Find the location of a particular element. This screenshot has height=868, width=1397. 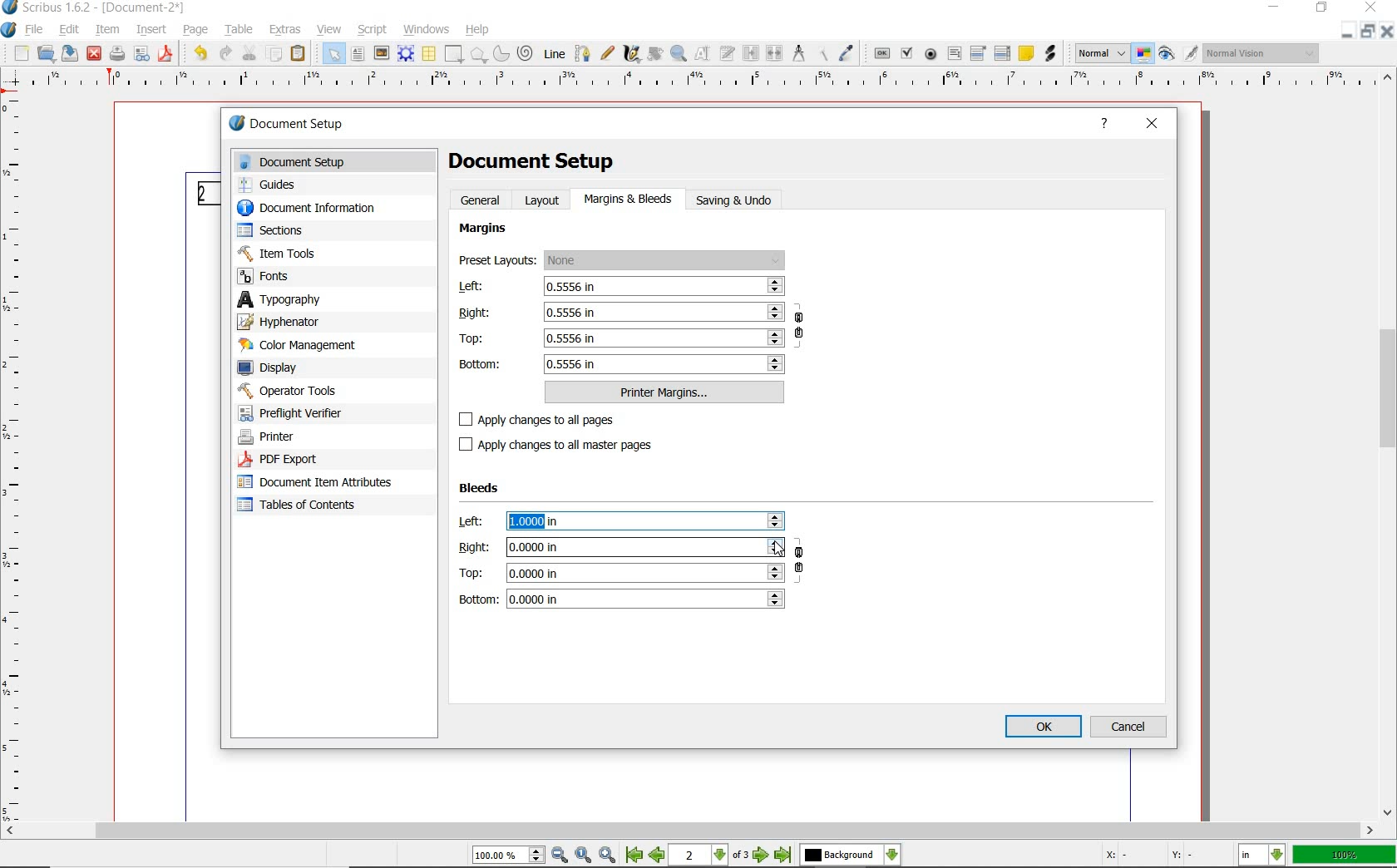

margins & bleeds is located at coordinates (629, 200).